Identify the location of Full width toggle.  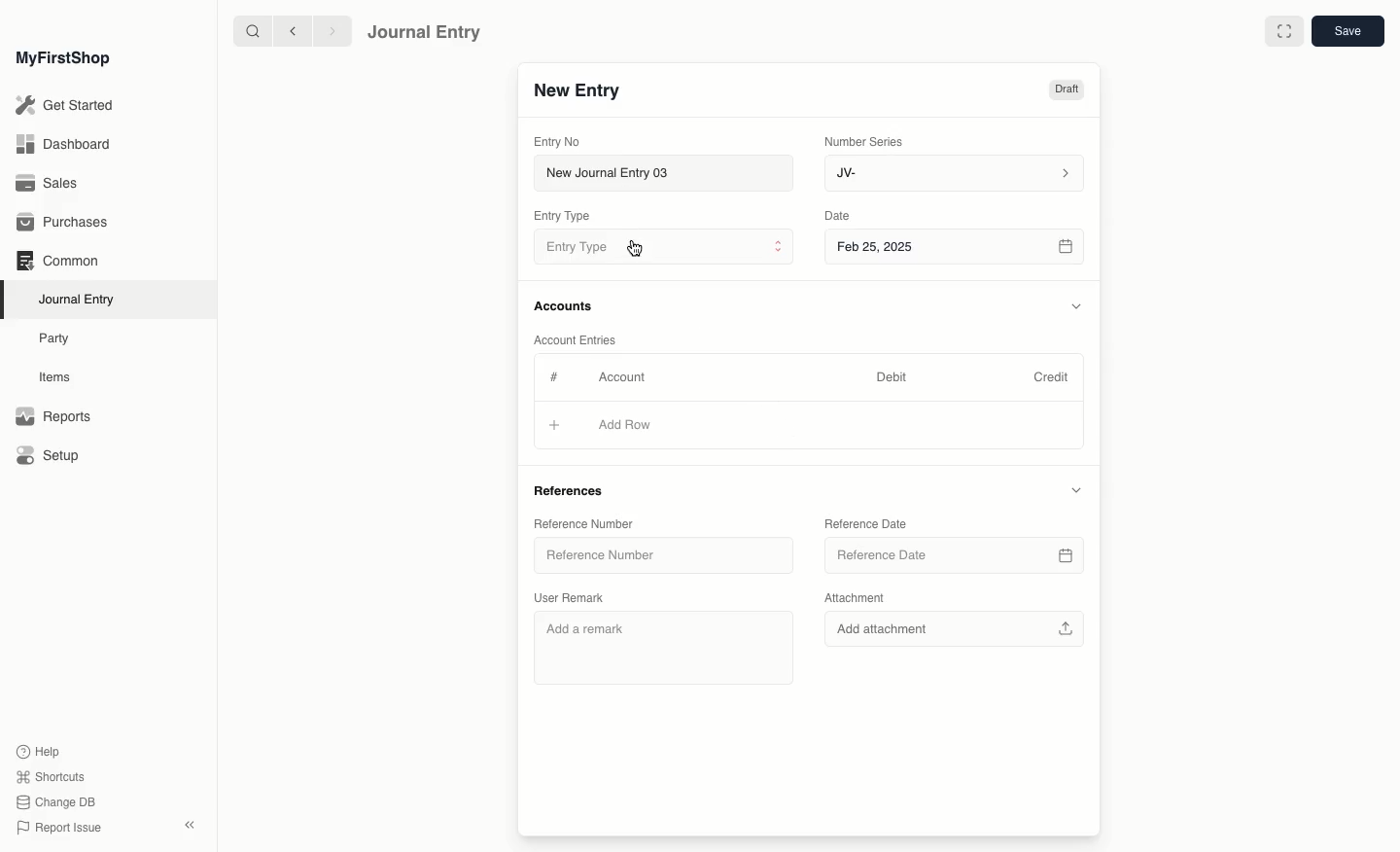
(1282, 32).